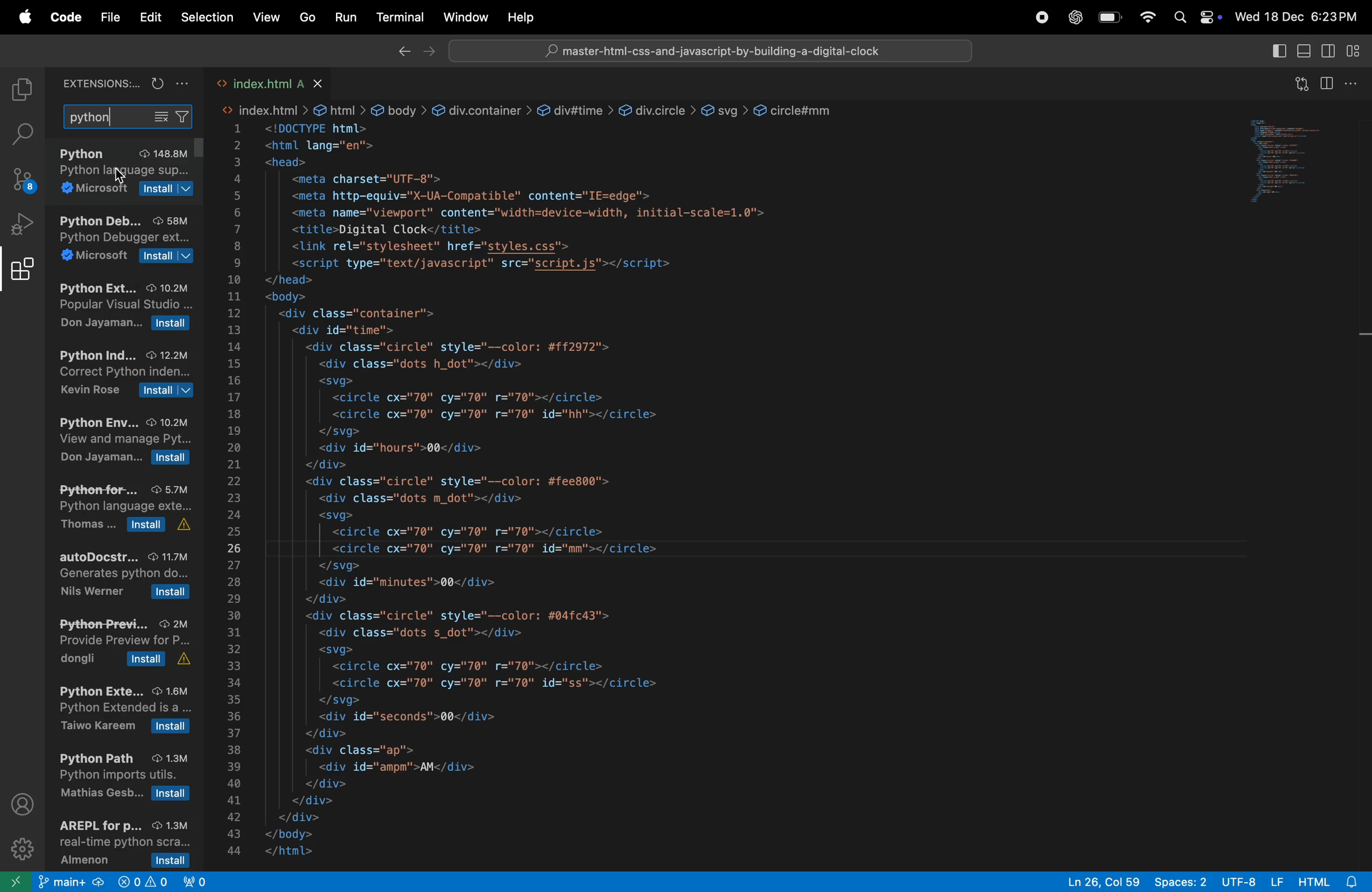 This screenshot has height=892, width=1372. What do you see at coordinates (1305, 52) in the screenshot?
I see `toggle panel` at bounding box center [1305, 52].